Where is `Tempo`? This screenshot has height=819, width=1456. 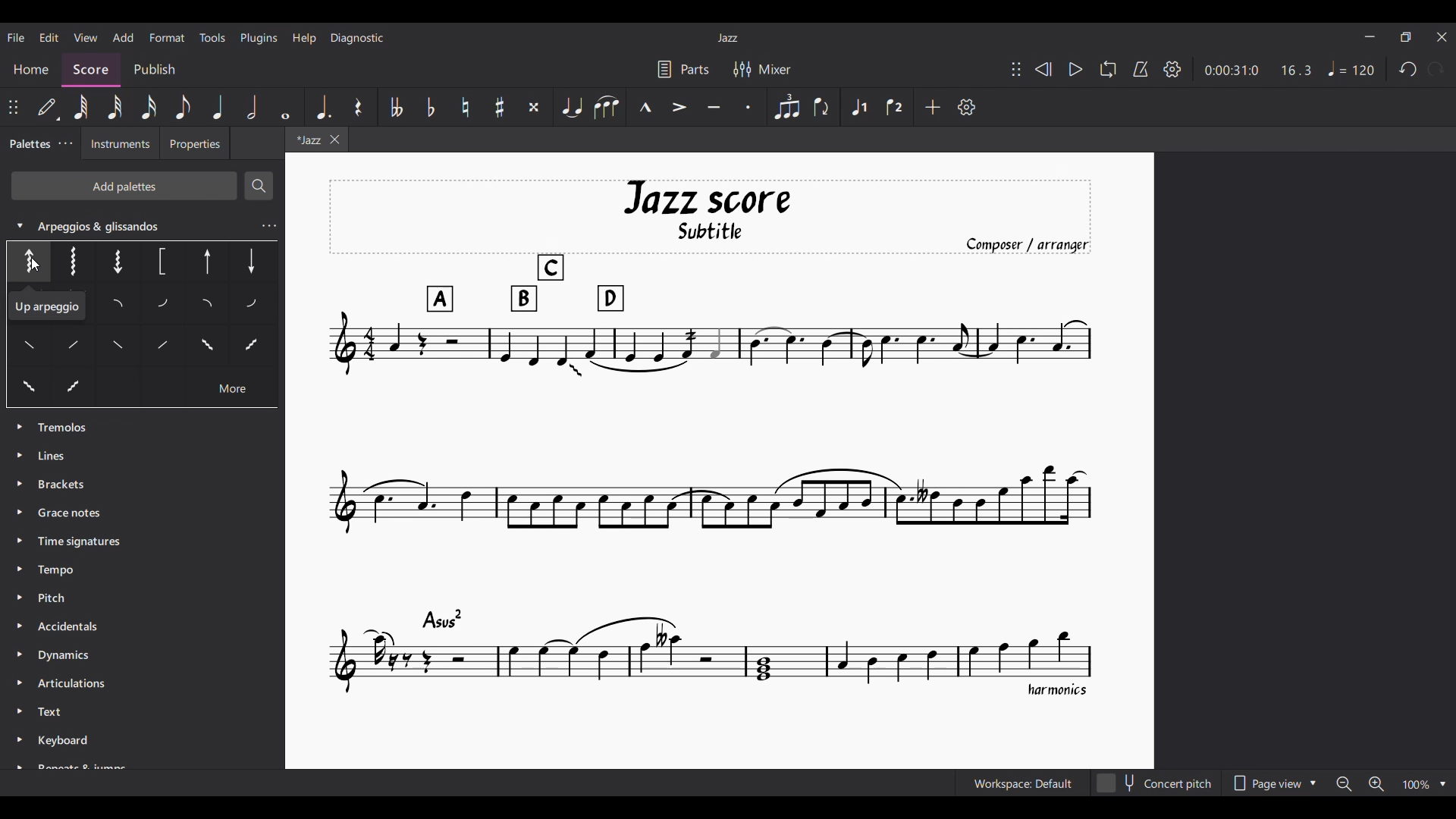
Tempo is located at coordinates (1351, 68).